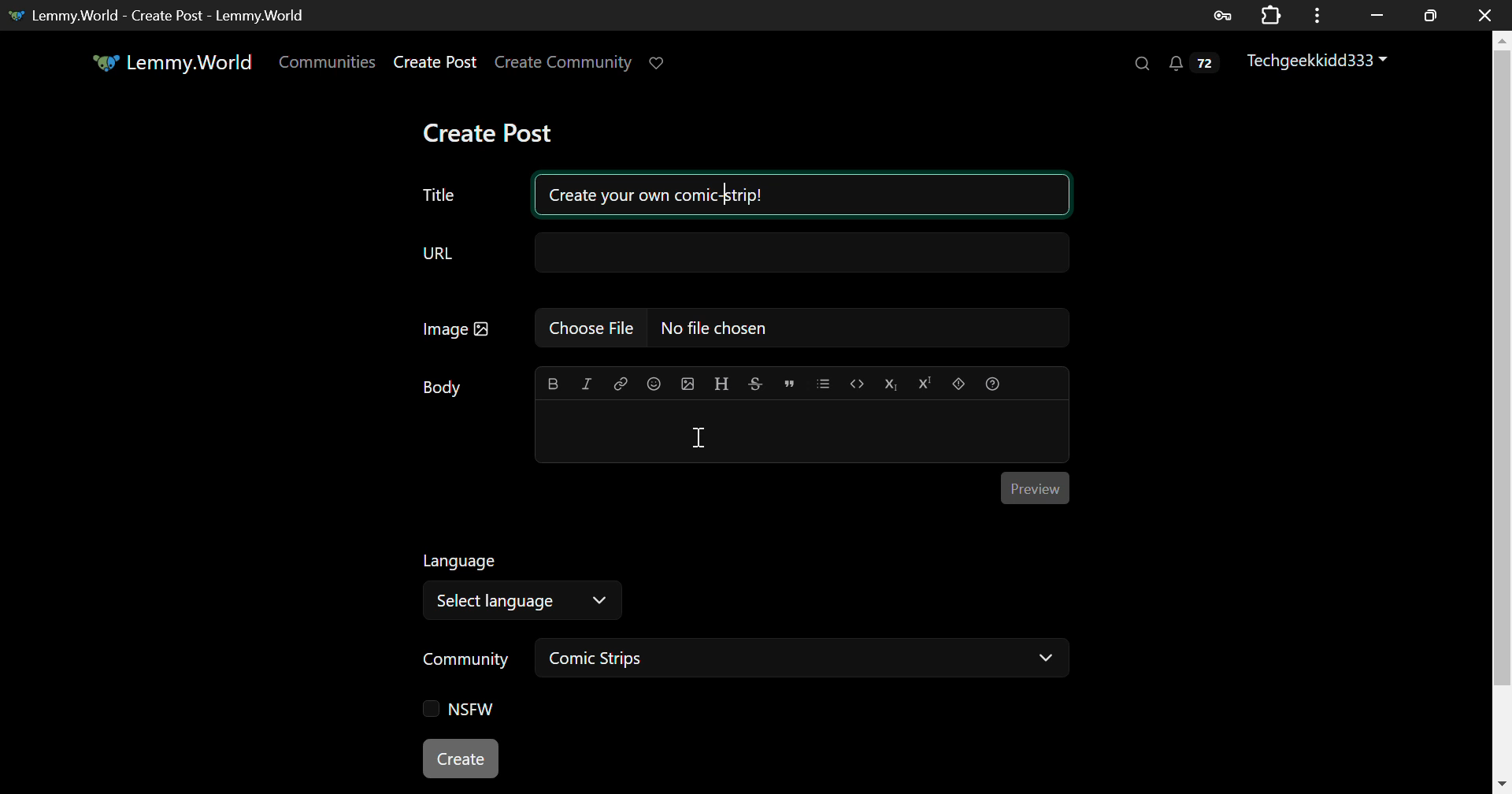  I want to click on Search, so click(1140, 64).